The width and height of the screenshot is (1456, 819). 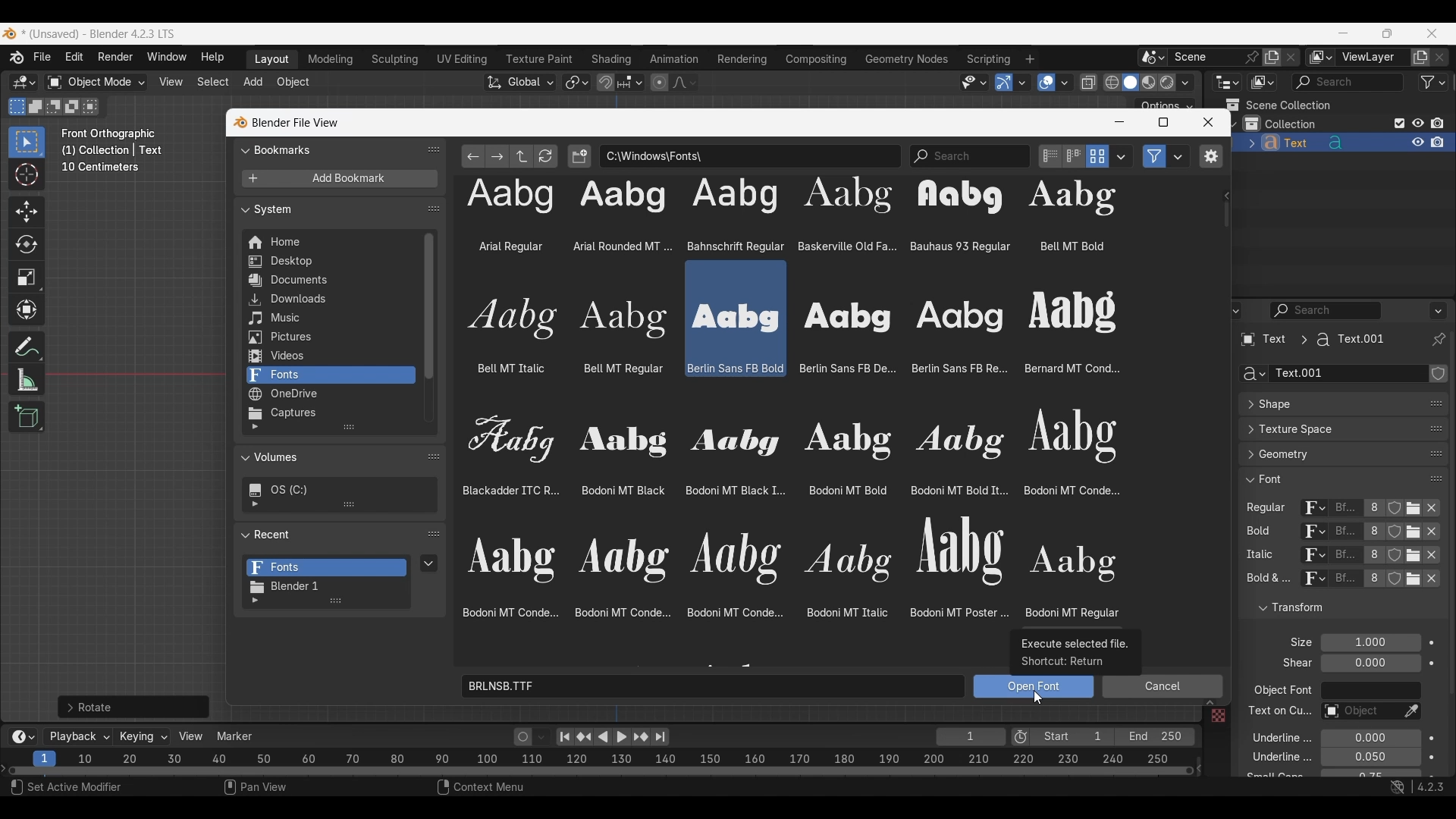 What do you see at coordinates (1021, 737) in the screenshot?
I see `Use preview range` at bounding box center [1021, 737].